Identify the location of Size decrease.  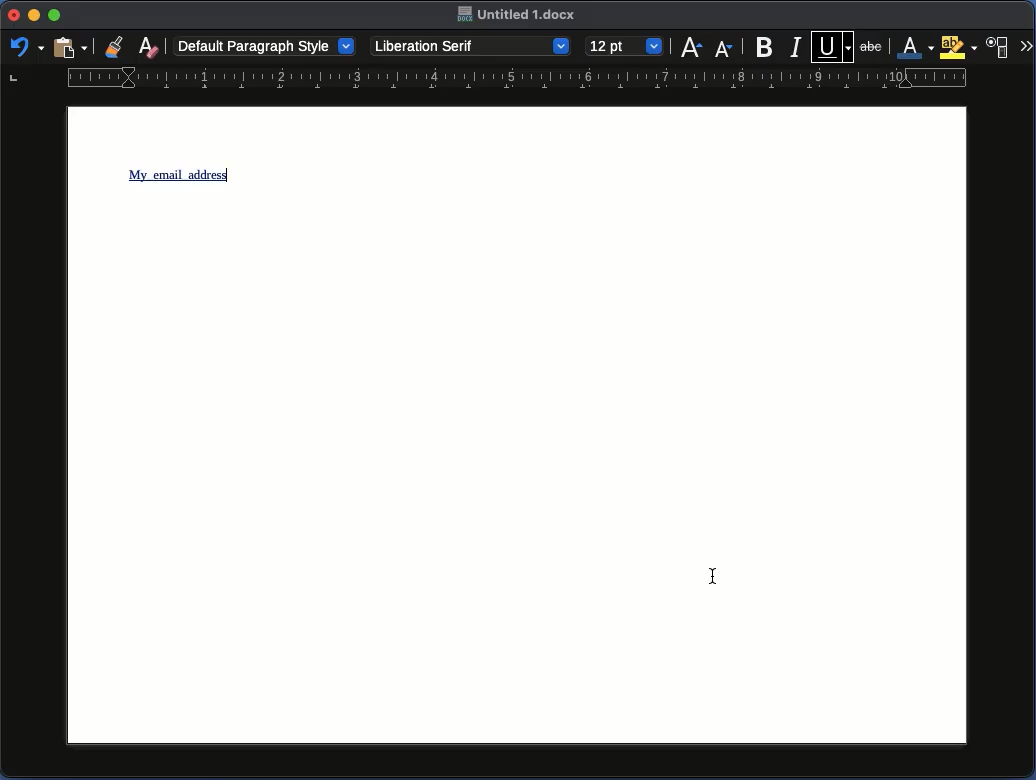
(723, 49).